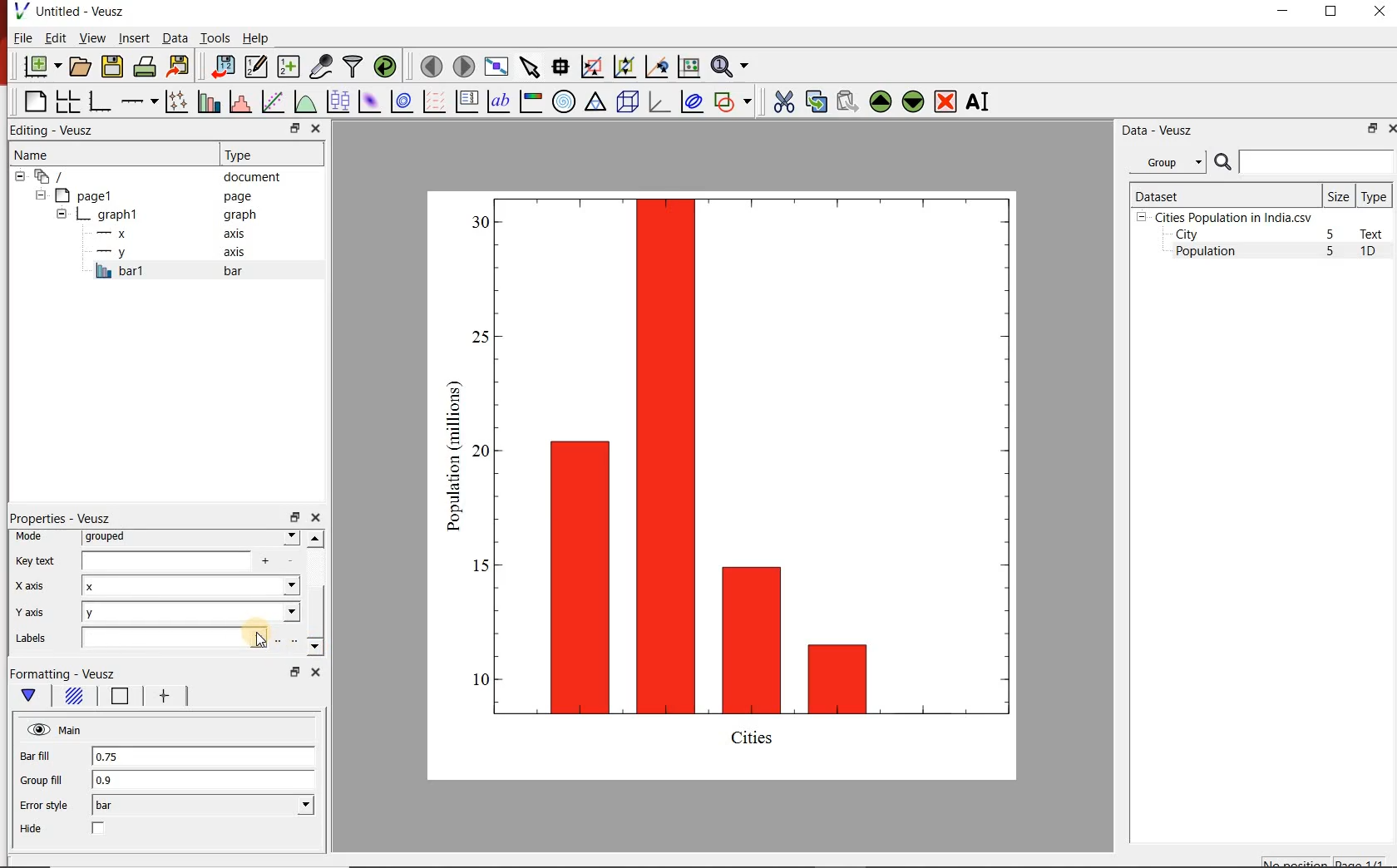  I want to click on key text, so click(36, 560).